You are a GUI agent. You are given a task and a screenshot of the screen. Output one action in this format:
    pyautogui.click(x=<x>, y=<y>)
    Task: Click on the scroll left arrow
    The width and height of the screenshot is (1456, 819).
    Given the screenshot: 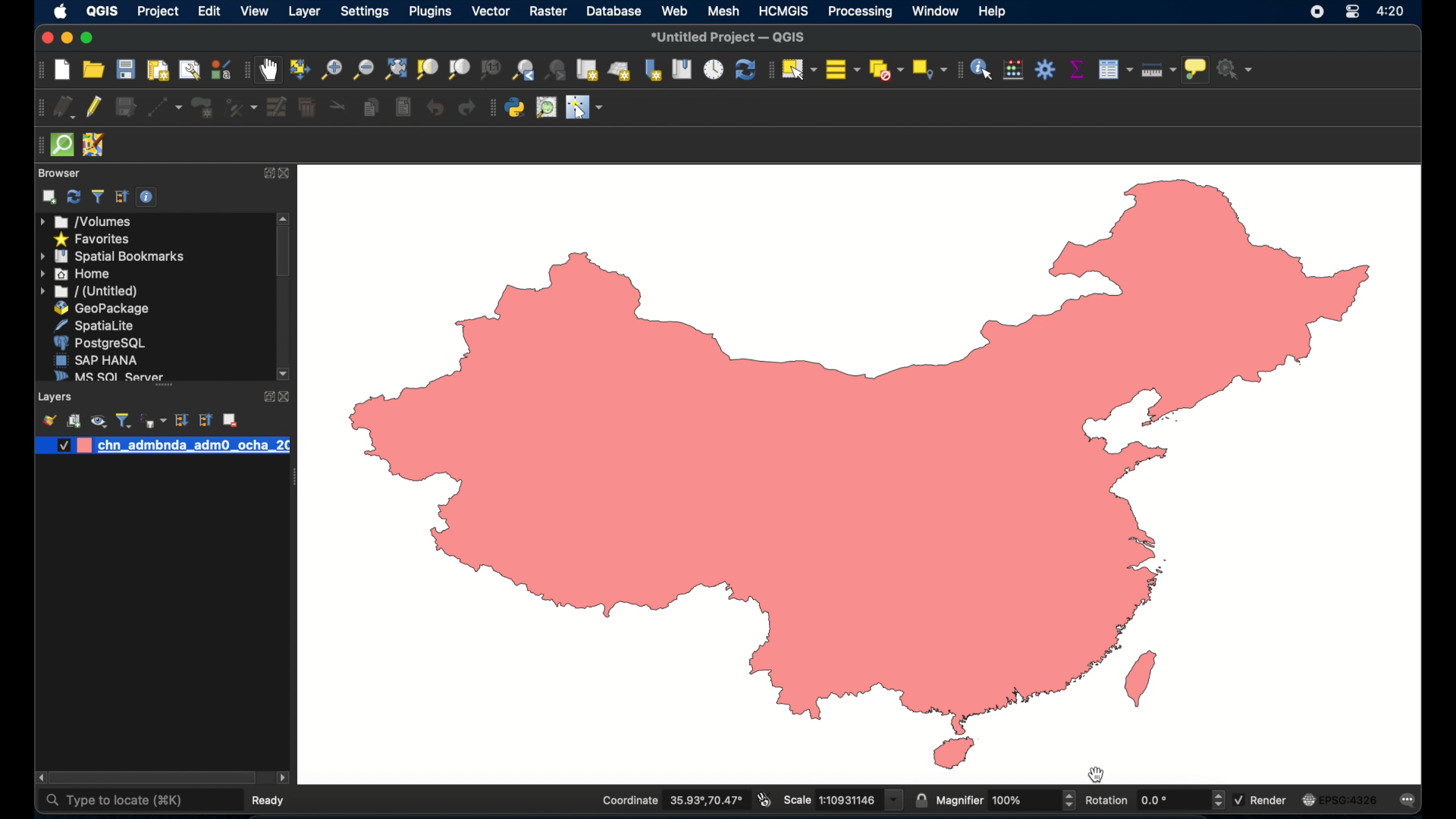 What is the action you would take?
    pyautogui.click(x=283, y=778)
    